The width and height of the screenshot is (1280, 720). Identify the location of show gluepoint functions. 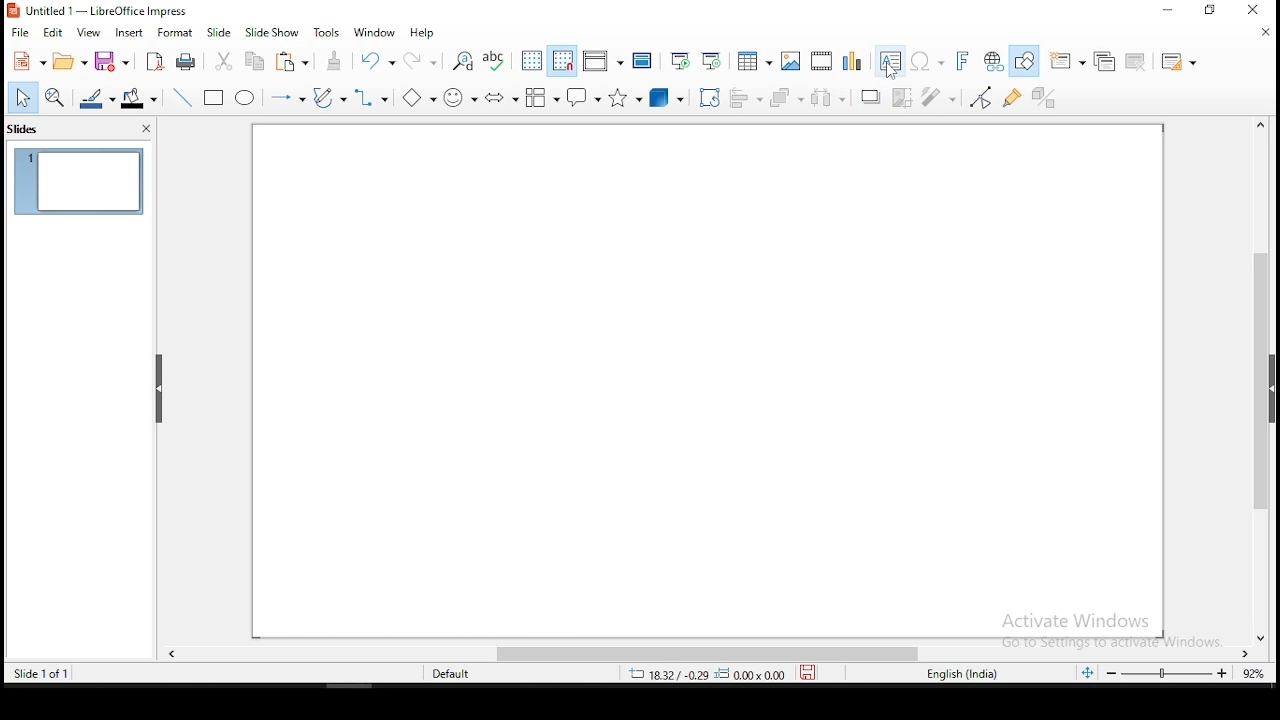
(1014, 97).